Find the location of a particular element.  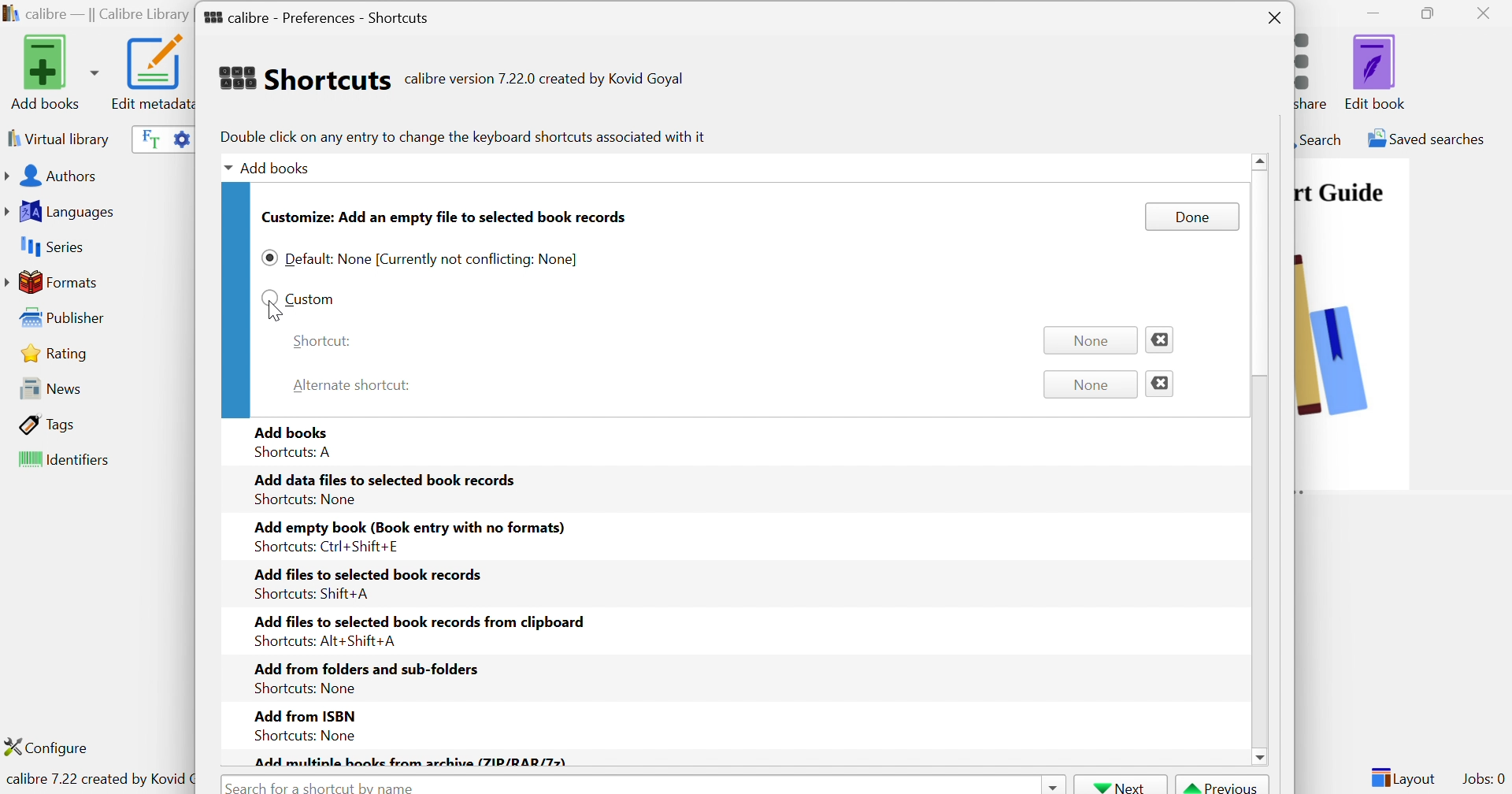

Shortcuts: None is located at coordinates (306, 499).